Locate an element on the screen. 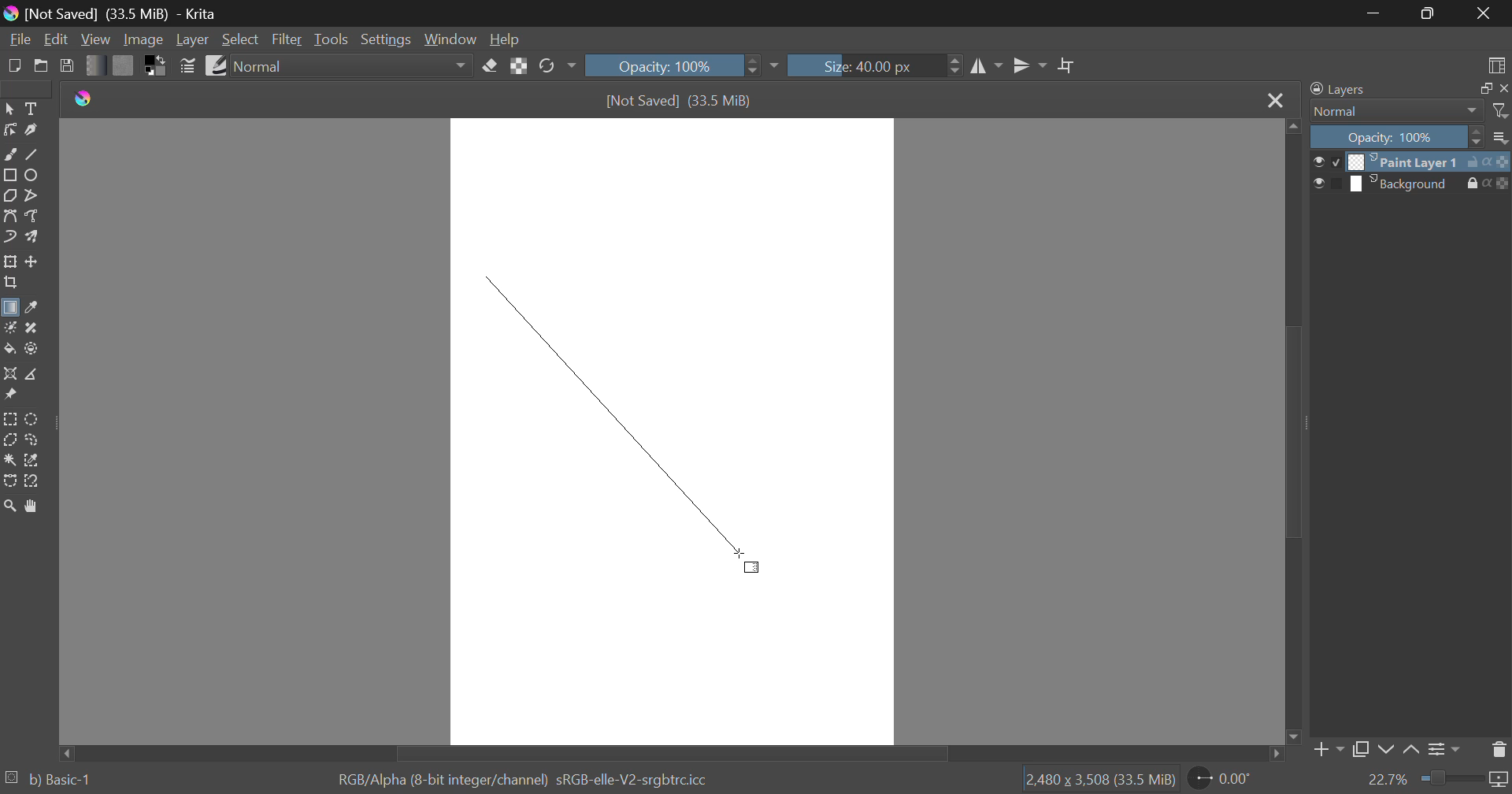  Similar Color Selection is located at coordinates (32, 461).